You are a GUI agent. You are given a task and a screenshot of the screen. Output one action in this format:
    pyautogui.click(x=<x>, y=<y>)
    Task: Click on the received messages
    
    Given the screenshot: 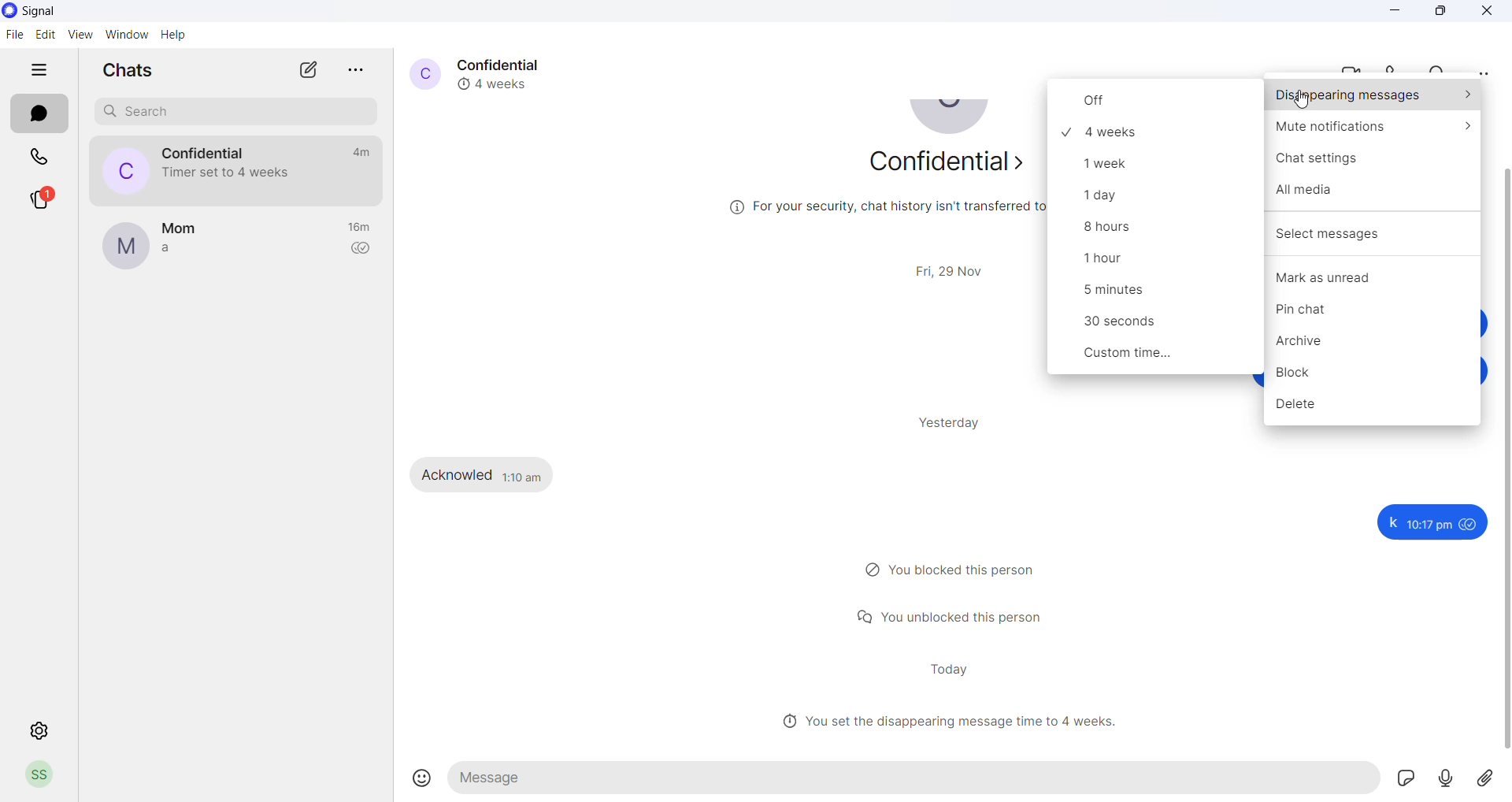 What is the action you would take?
    pyautogui.click(x=495, y=473)
    